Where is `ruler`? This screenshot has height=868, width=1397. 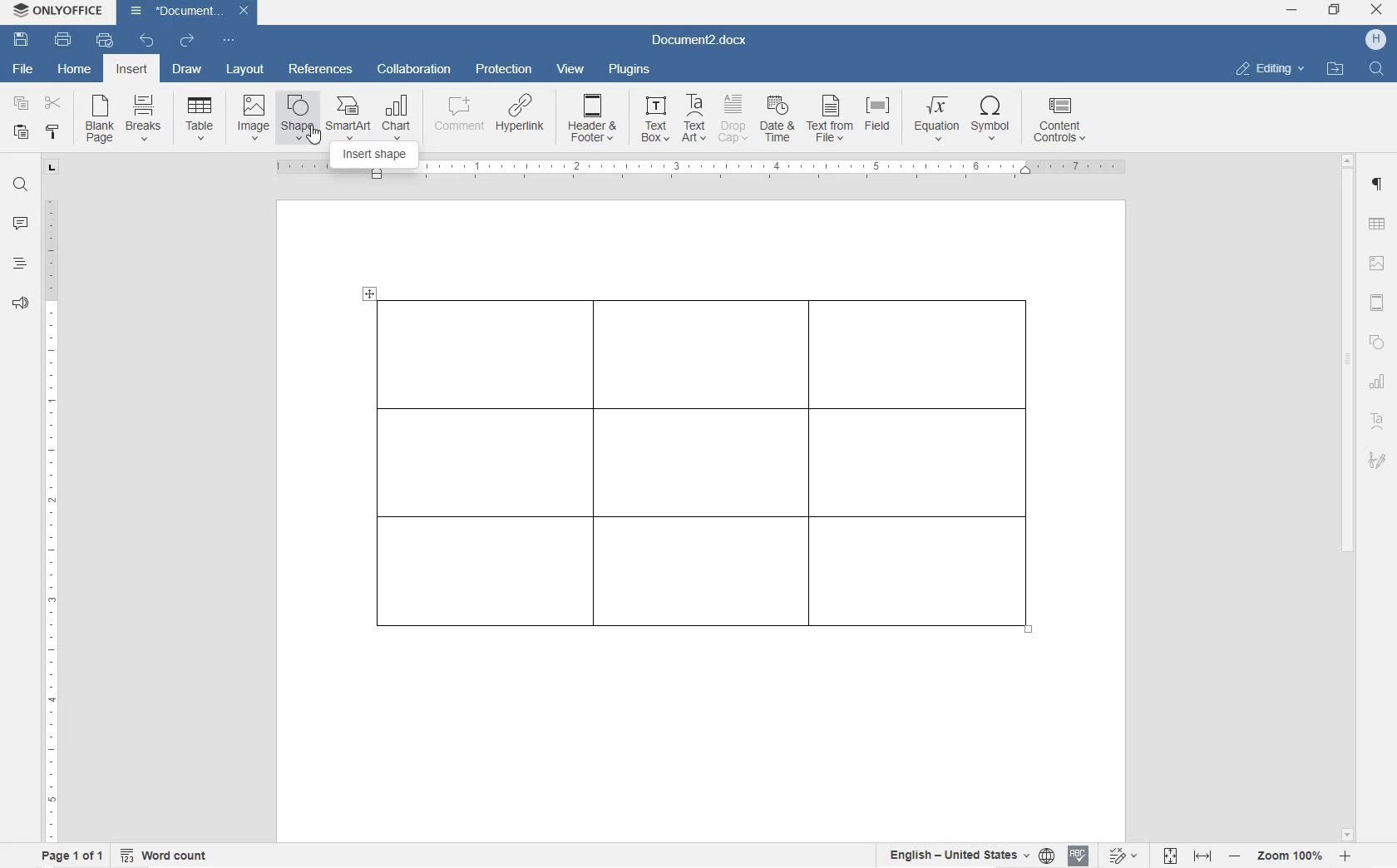 ruler is located at coordinates (51, 515).